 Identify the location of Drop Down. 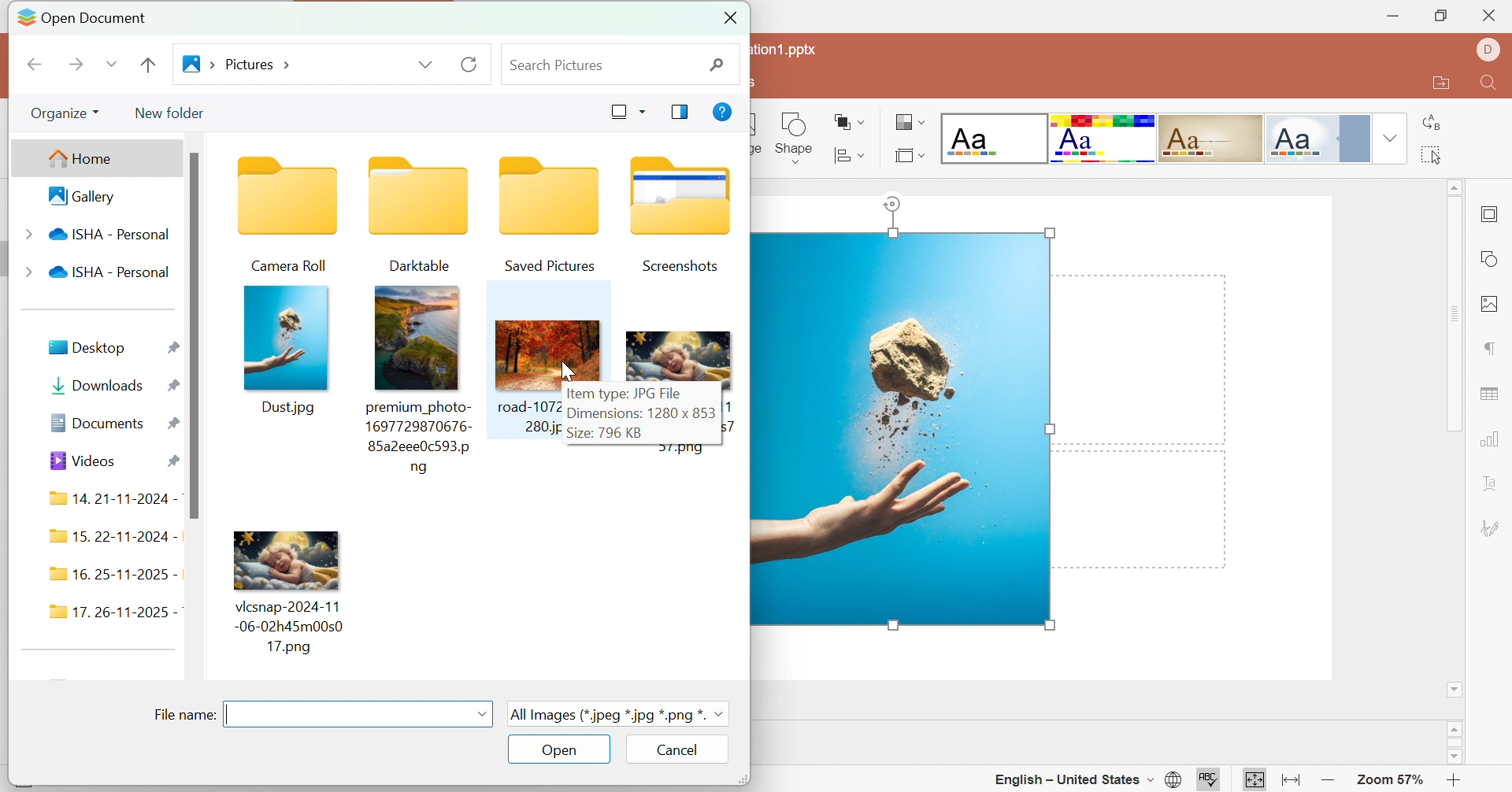
(425, 64).